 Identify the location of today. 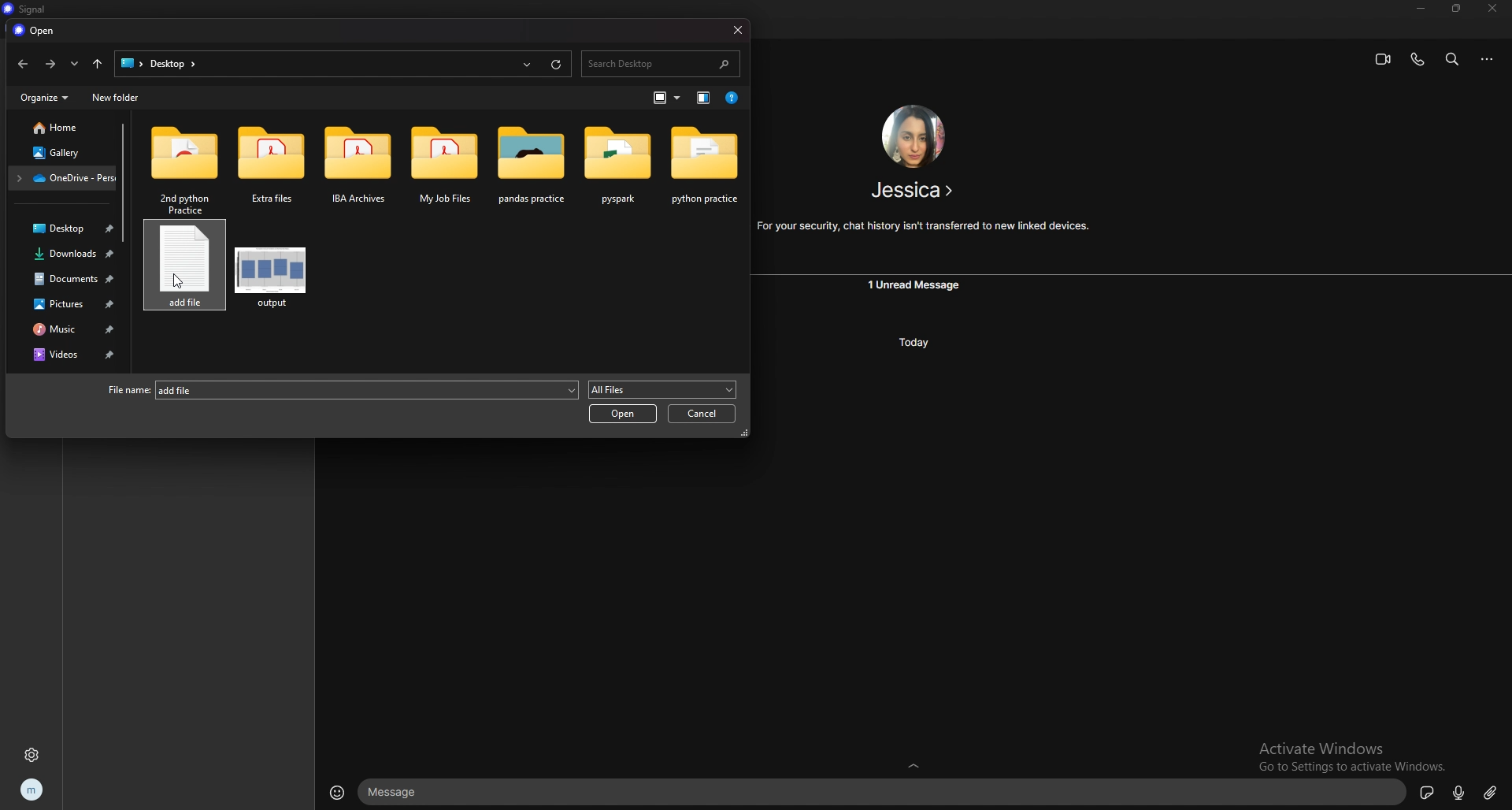
(911, 342).